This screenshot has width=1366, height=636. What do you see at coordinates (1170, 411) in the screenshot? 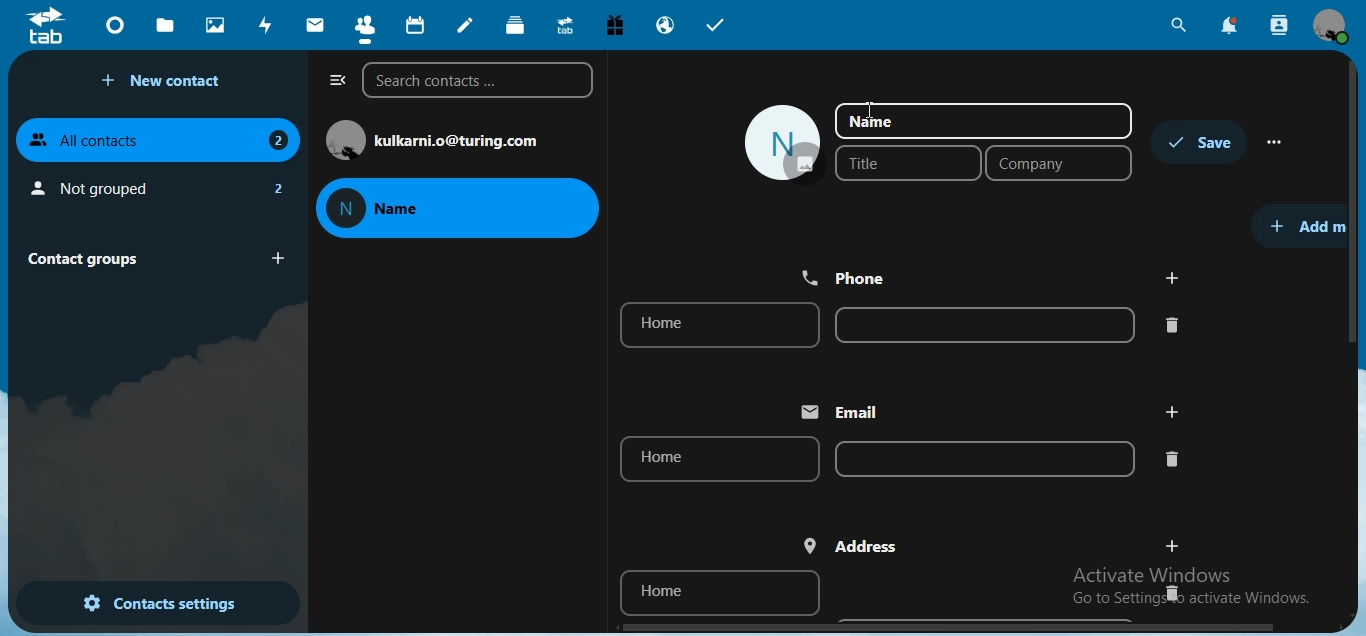
I see `add` at bounding box center [1170, 411].